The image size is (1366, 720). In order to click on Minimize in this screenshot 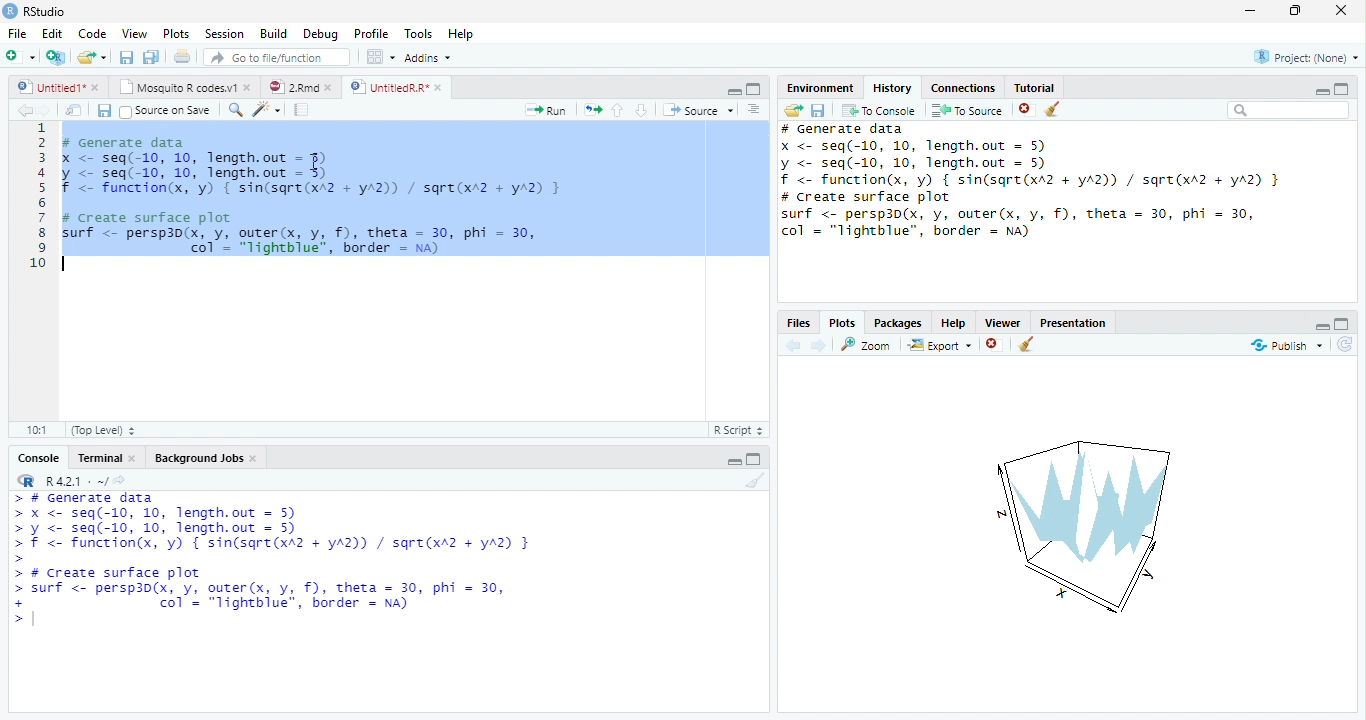, I will do `click(732, 91)`.